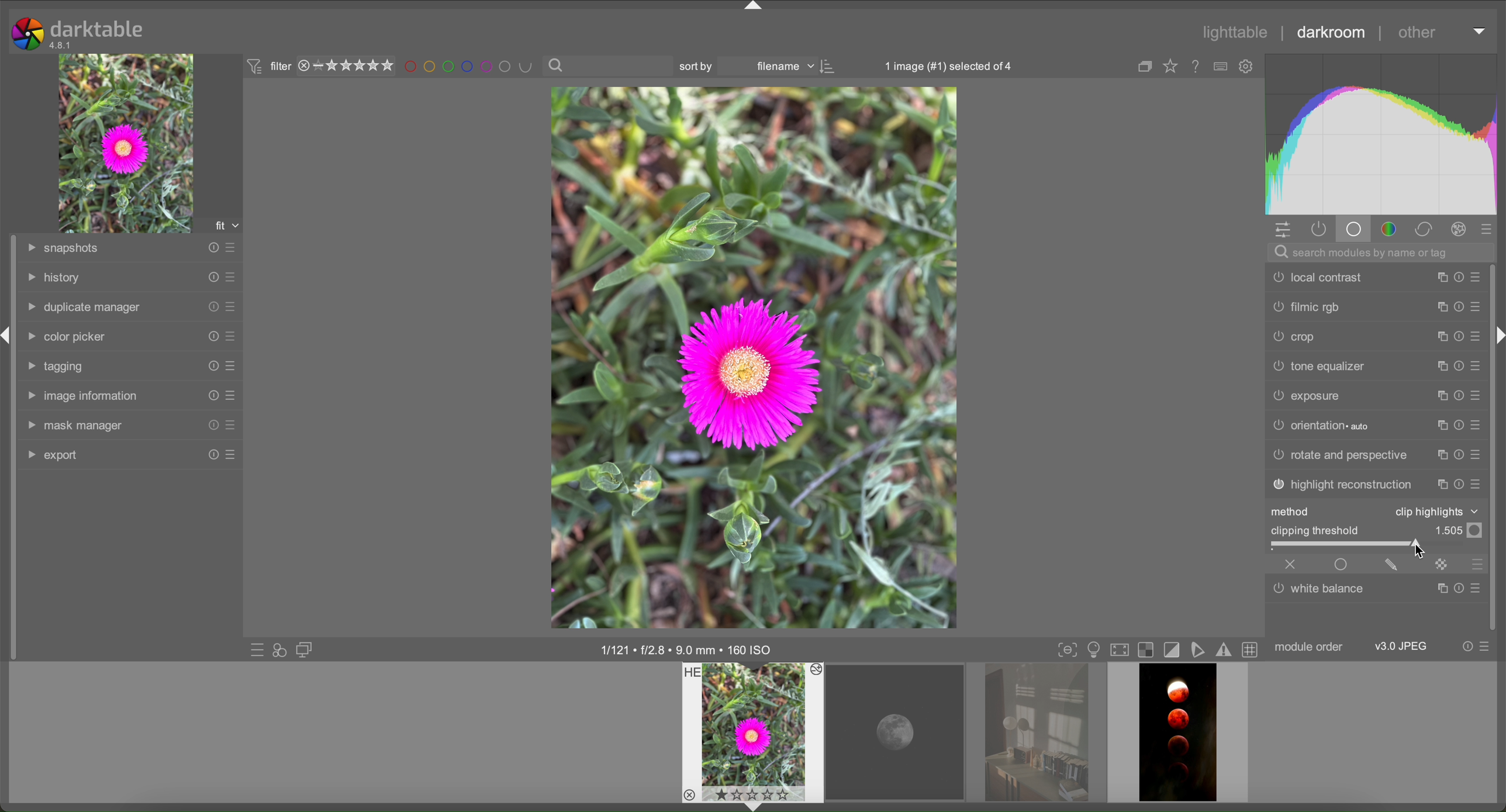 This screenshot has width=1506, height=812. I want to click on exposure, so click(1305, 395).